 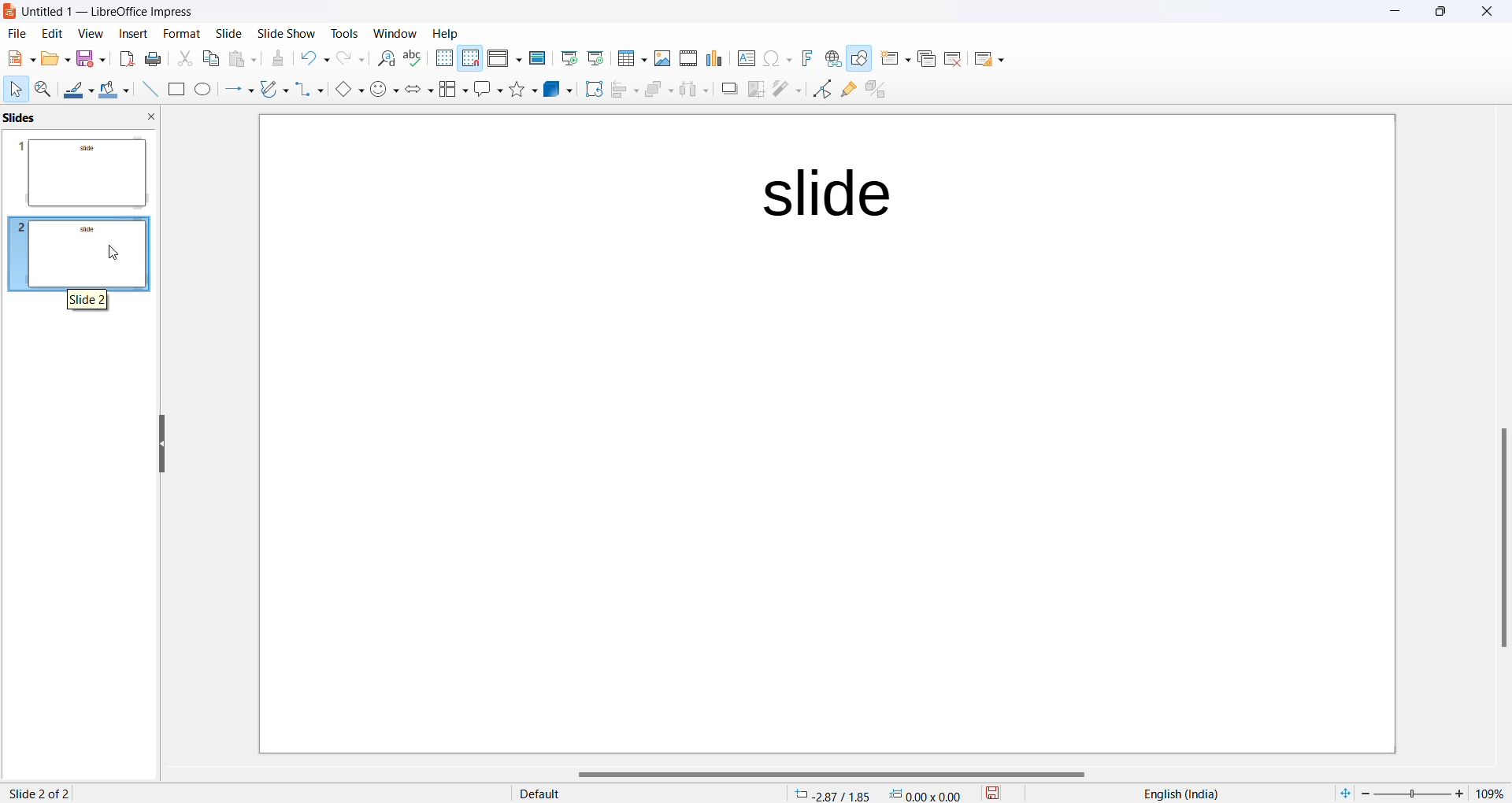 What do you see at coordinates (956, 58) in the screenshot?
I see `Delete slide` at bounding box center [956, 58].